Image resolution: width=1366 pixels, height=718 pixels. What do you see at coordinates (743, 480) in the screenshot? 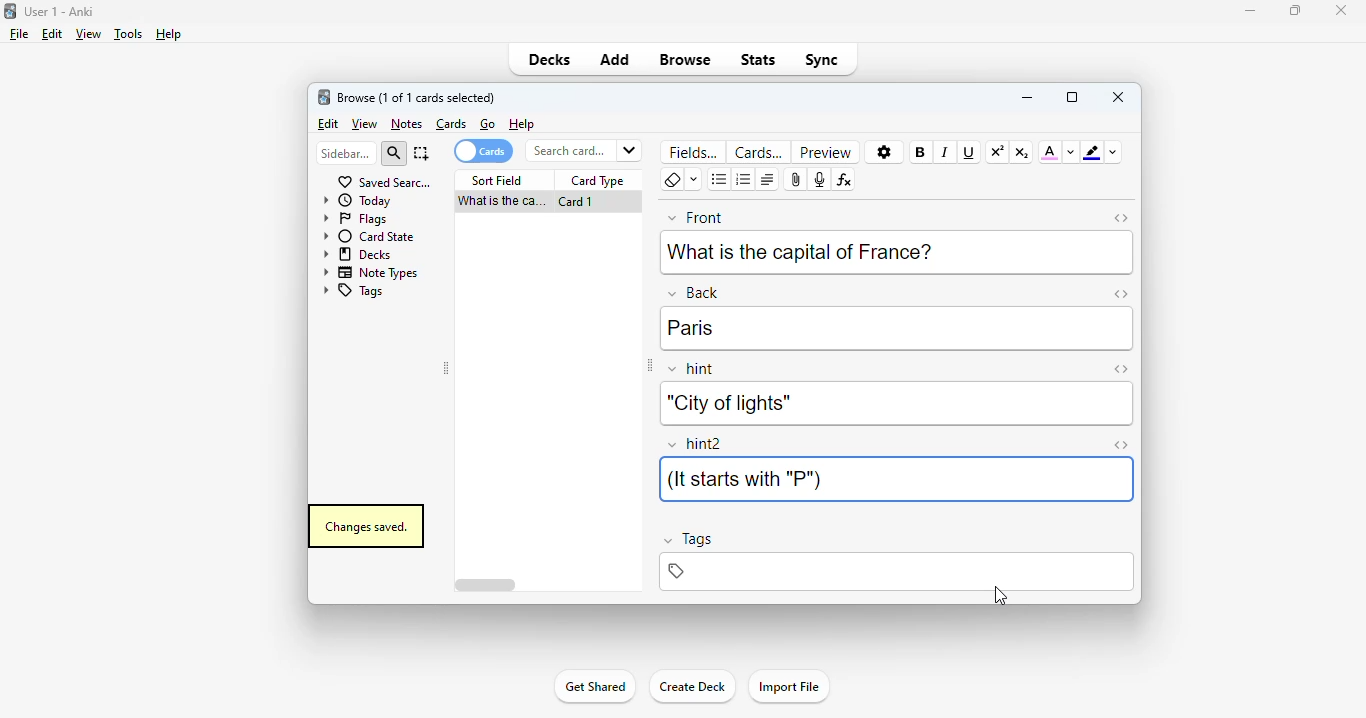
I see `(It starts with "P")` at bounding box center [743, 480].